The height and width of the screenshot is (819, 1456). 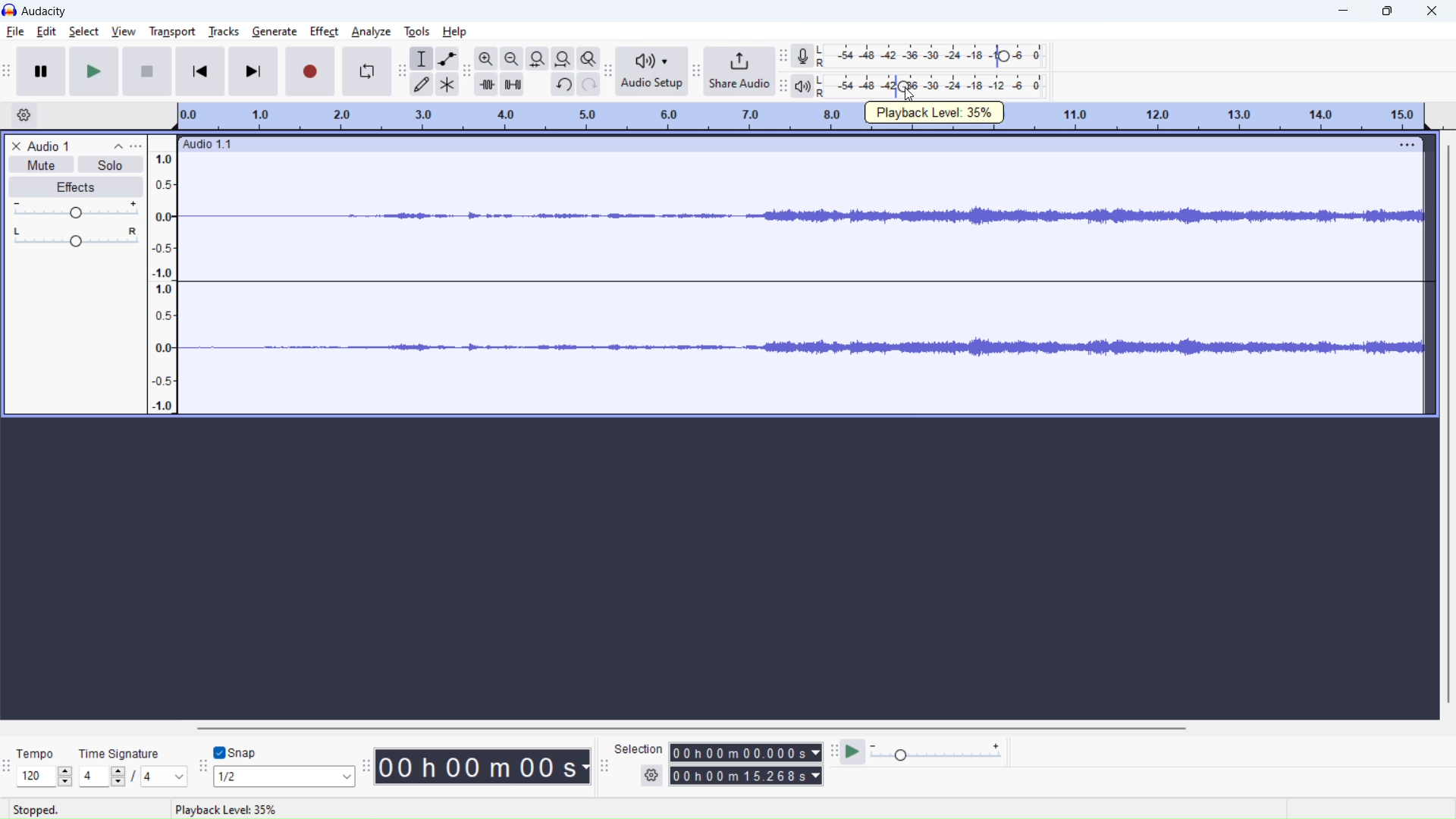 I want to click on delete audio, so click(x=15, y=146).